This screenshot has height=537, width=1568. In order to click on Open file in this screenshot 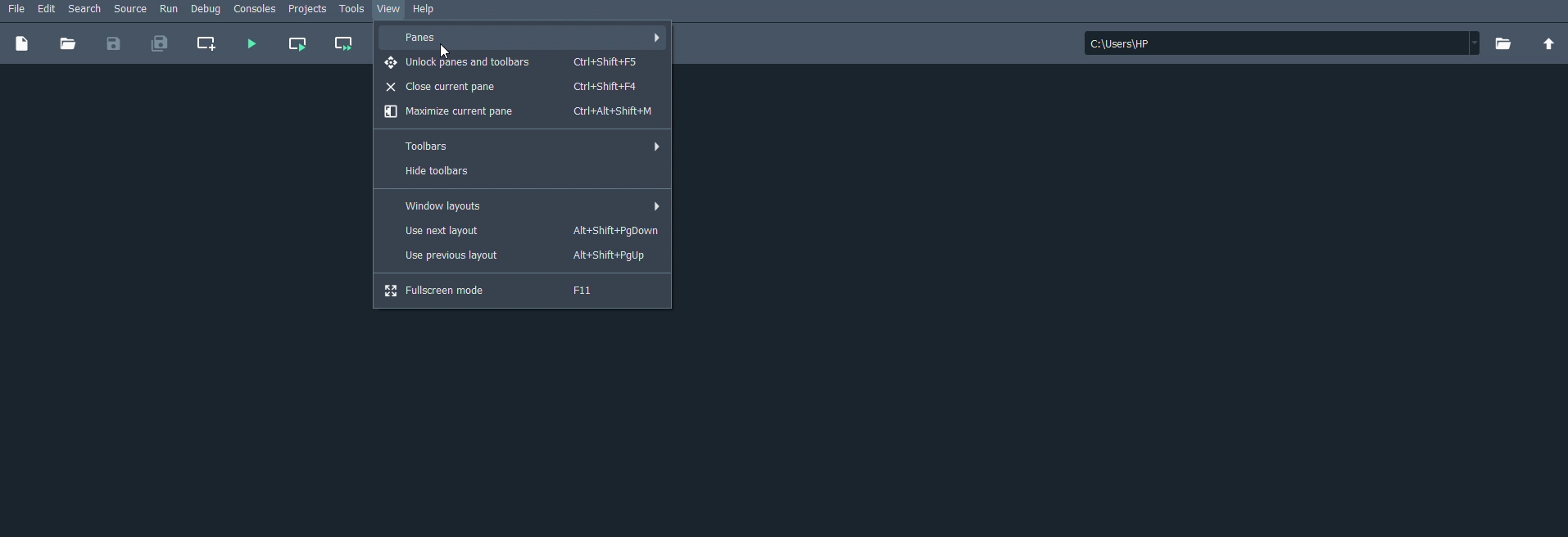, I will do `click(68, 43)`.